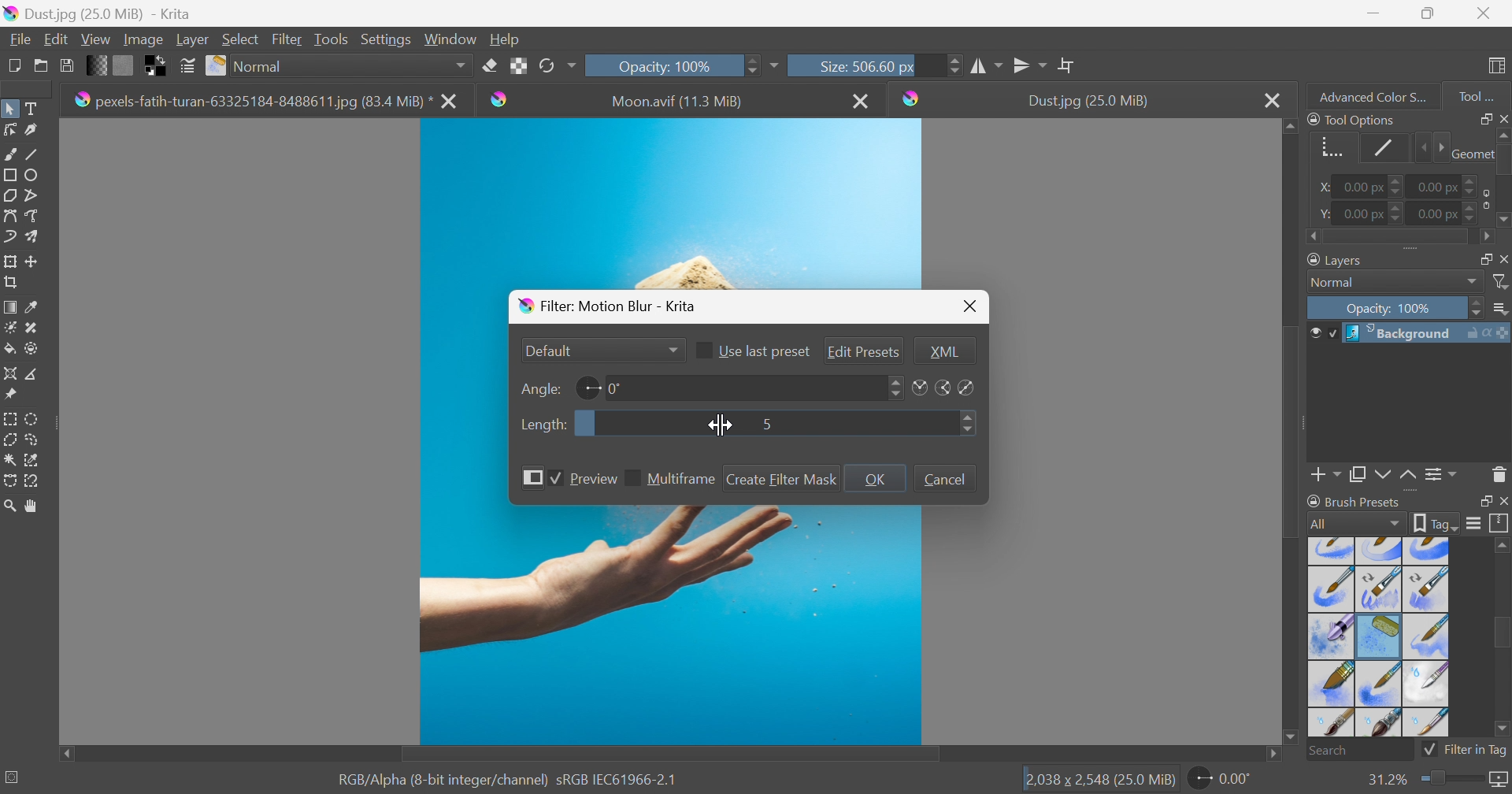 The image size is (1512, 794). What do you see at coordinates (615, 388) in the screenshot?
I see `0°` at bounding box center [615, 388].